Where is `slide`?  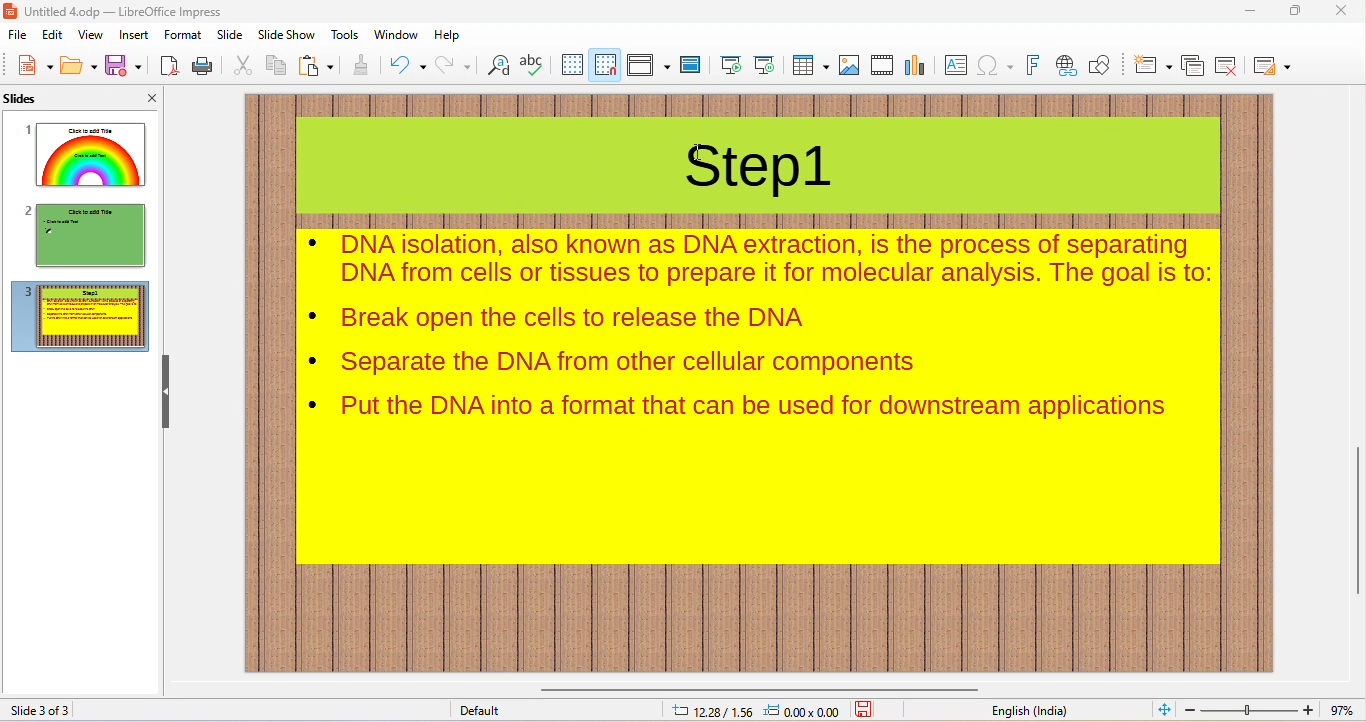 slide is located at coordinates (230, 36).